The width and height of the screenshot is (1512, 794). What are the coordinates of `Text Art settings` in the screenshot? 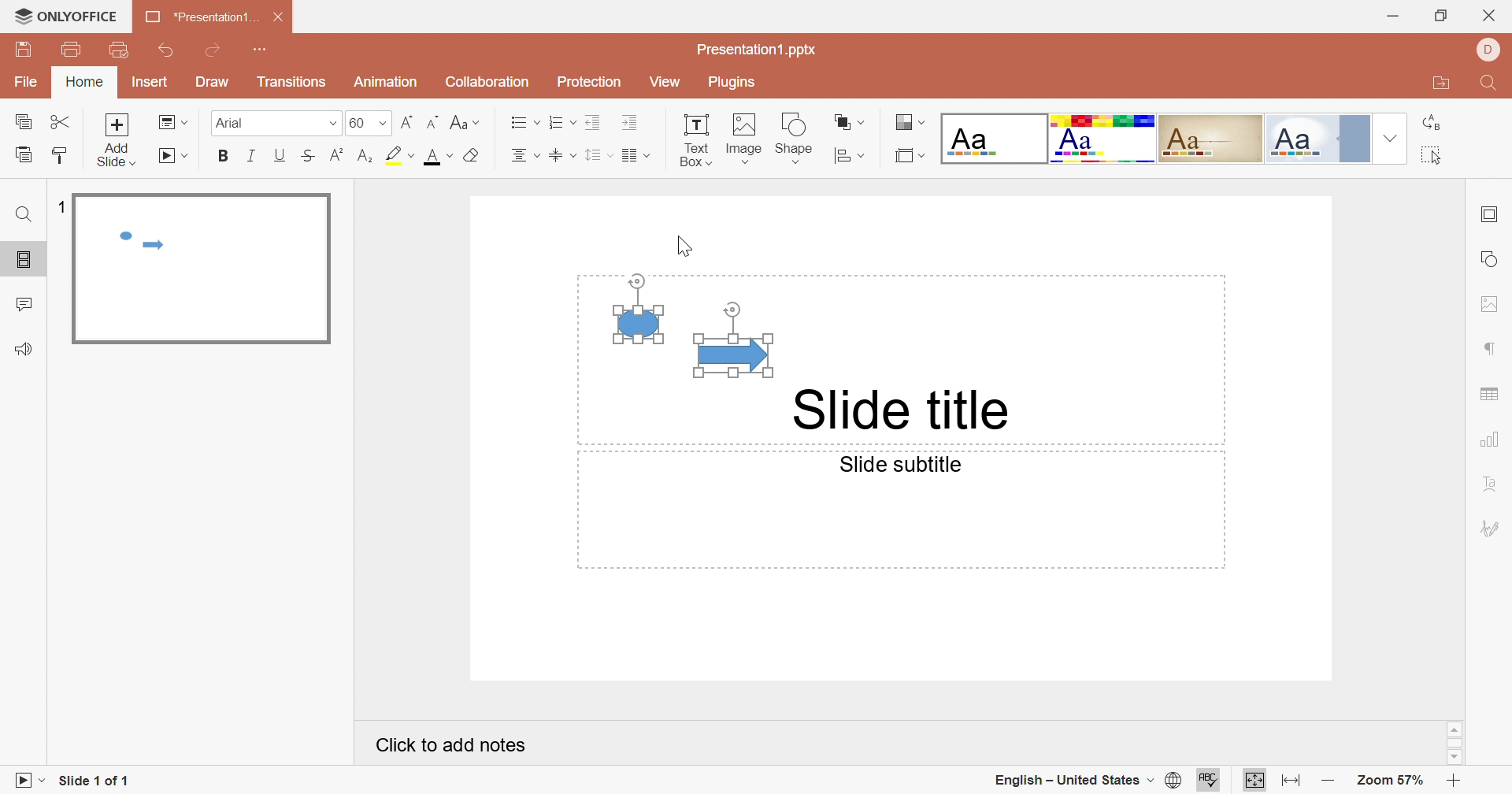 It's located at (1490, 481).